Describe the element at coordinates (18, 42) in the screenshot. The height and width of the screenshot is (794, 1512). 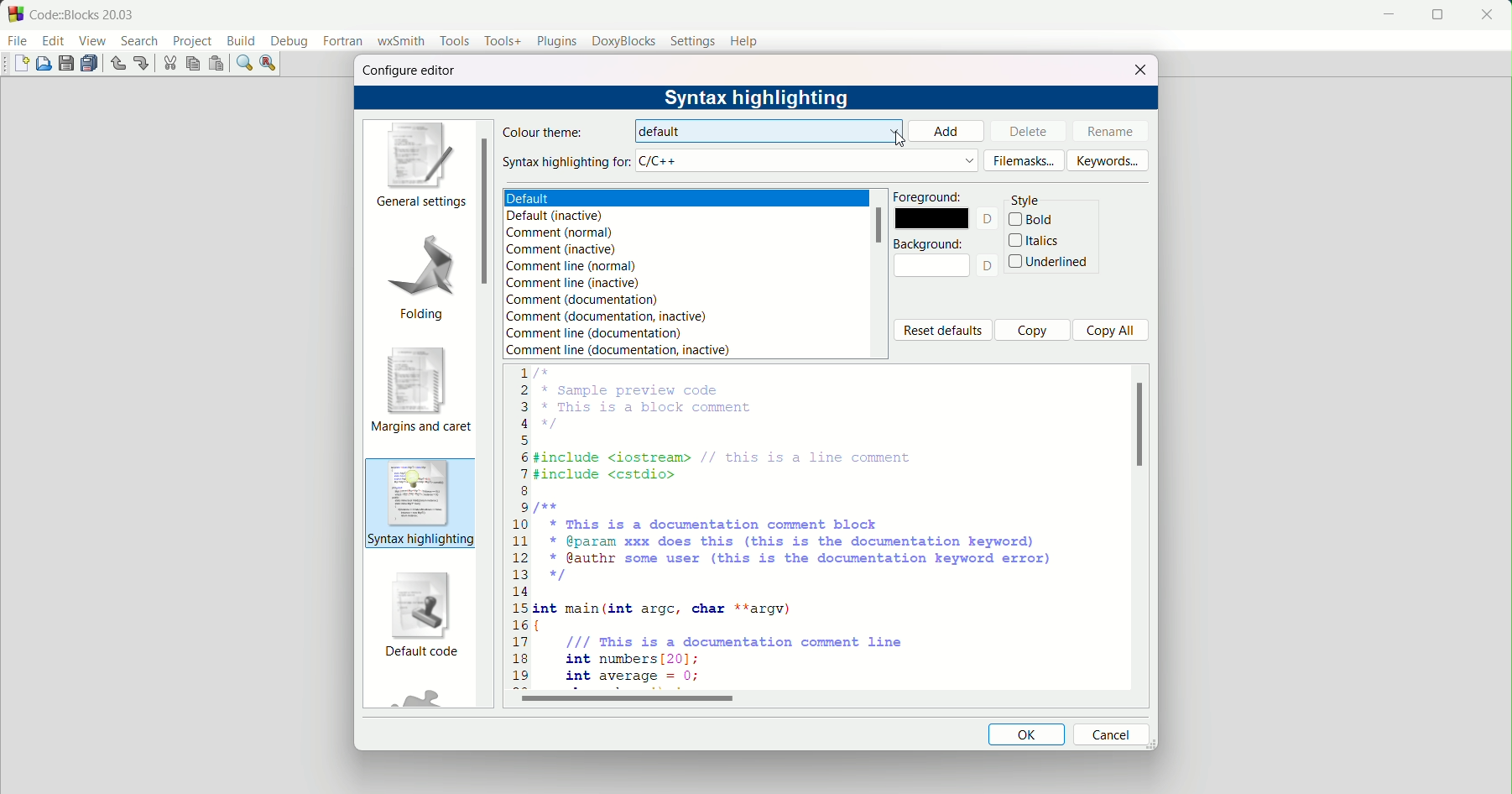
I see `file` at that location.